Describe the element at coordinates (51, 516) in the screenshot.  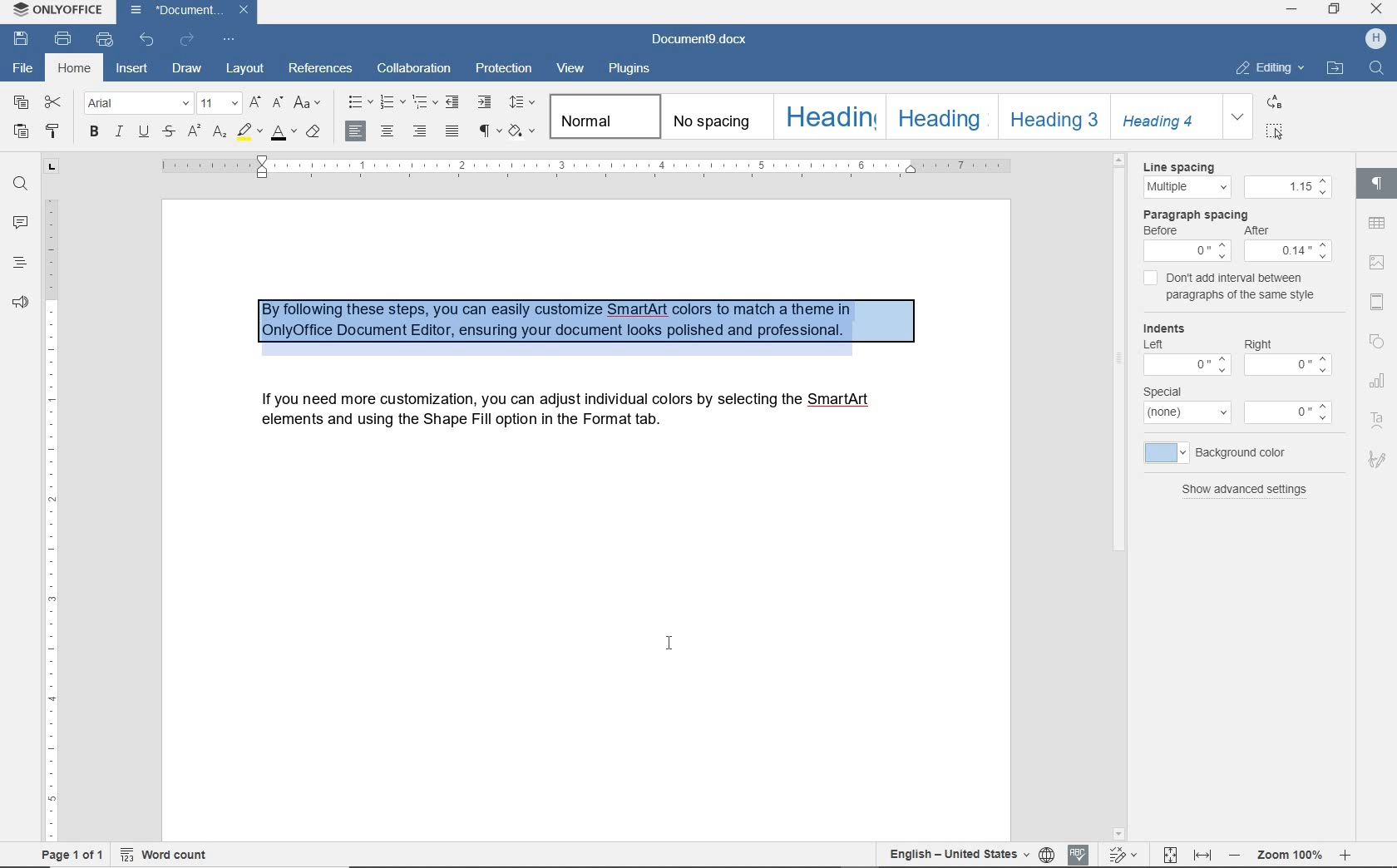
I see `ruler` at that location.